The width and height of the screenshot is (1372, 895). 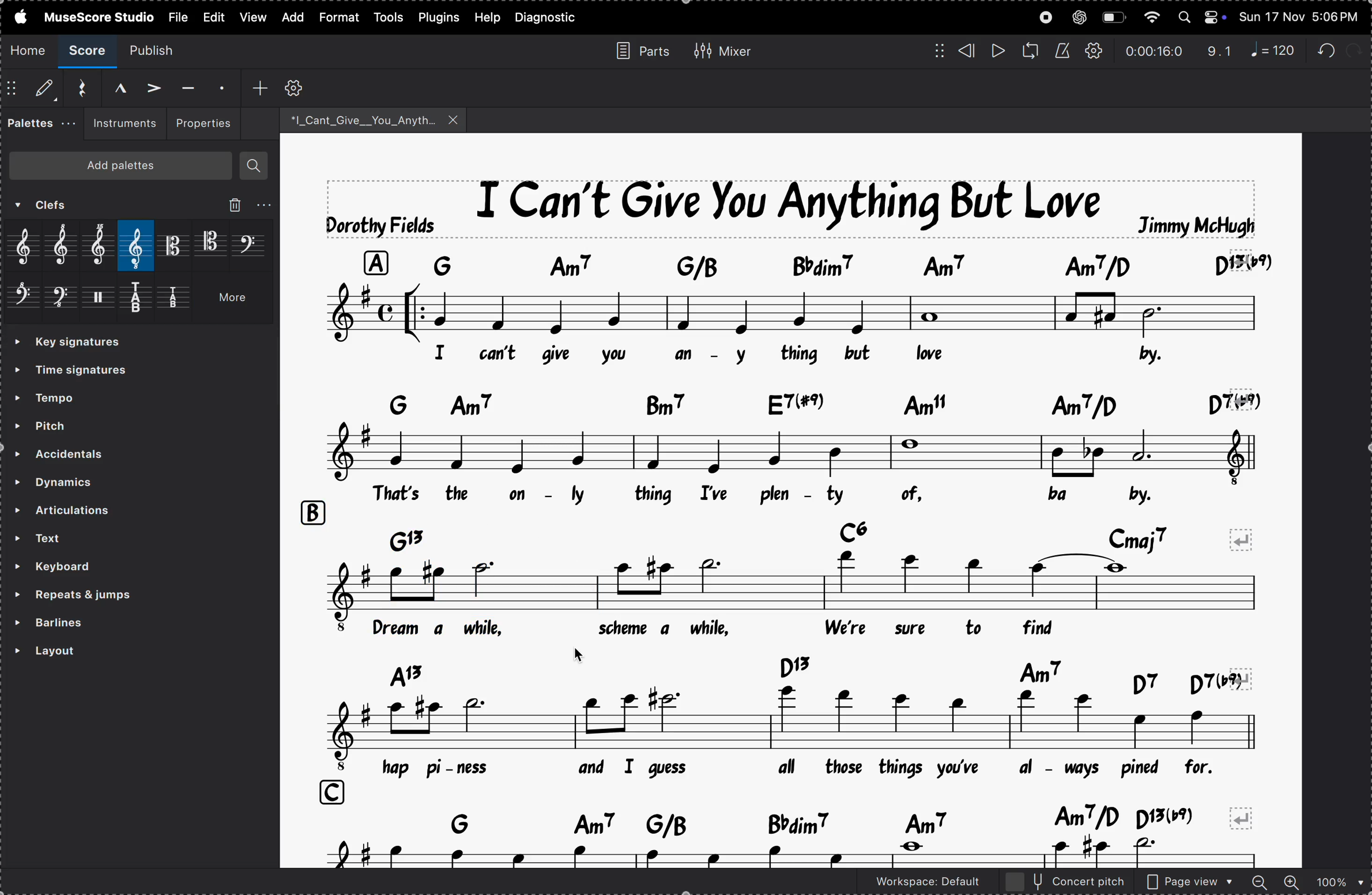 What do you see at coordinates (1062, 51) in the screenshot?
I see `metronome` at bounding box center [1062, 51].